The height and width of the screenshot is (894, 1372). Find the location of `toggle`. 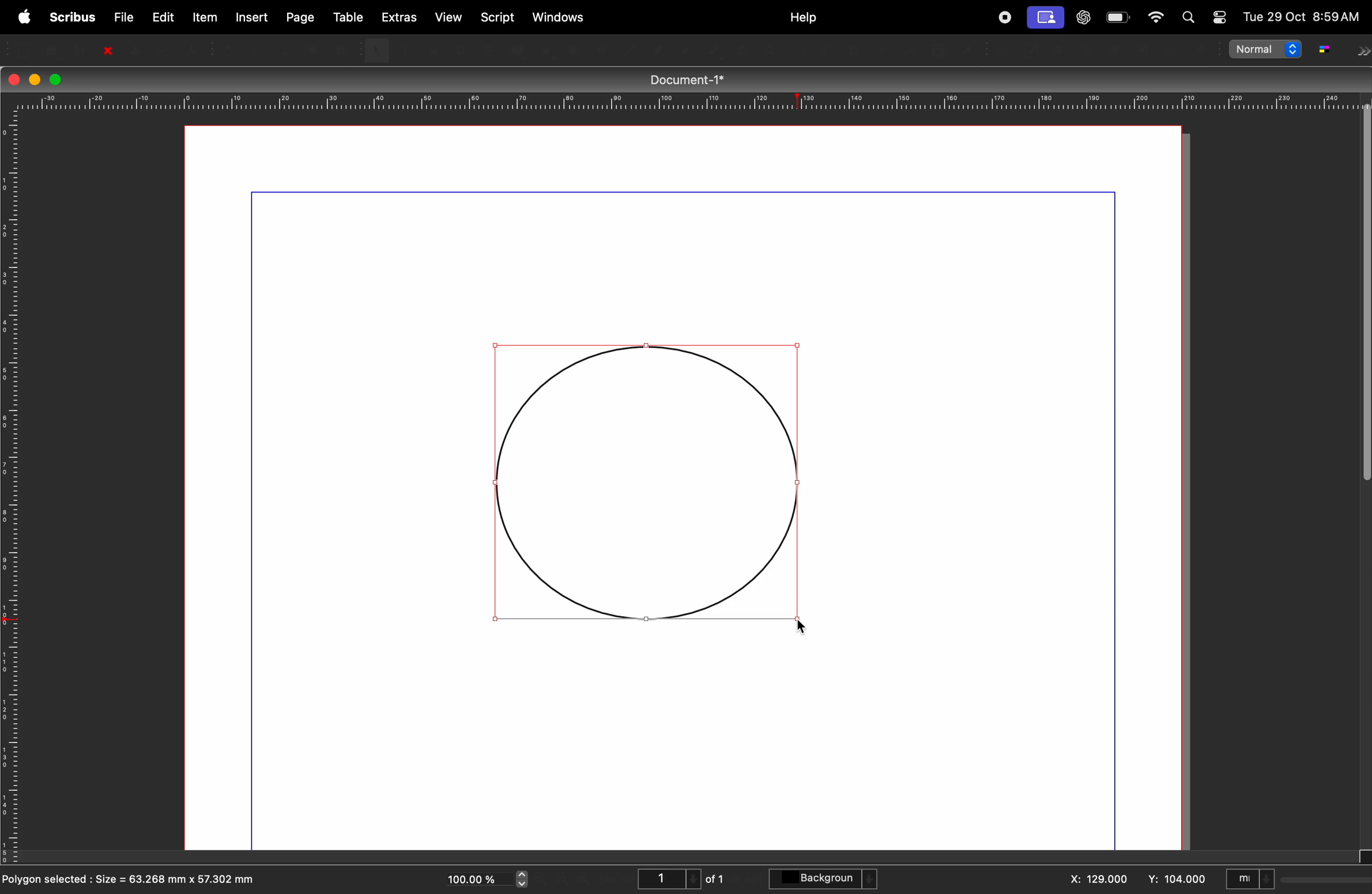

toggle is located at coordinates (1218, 13).